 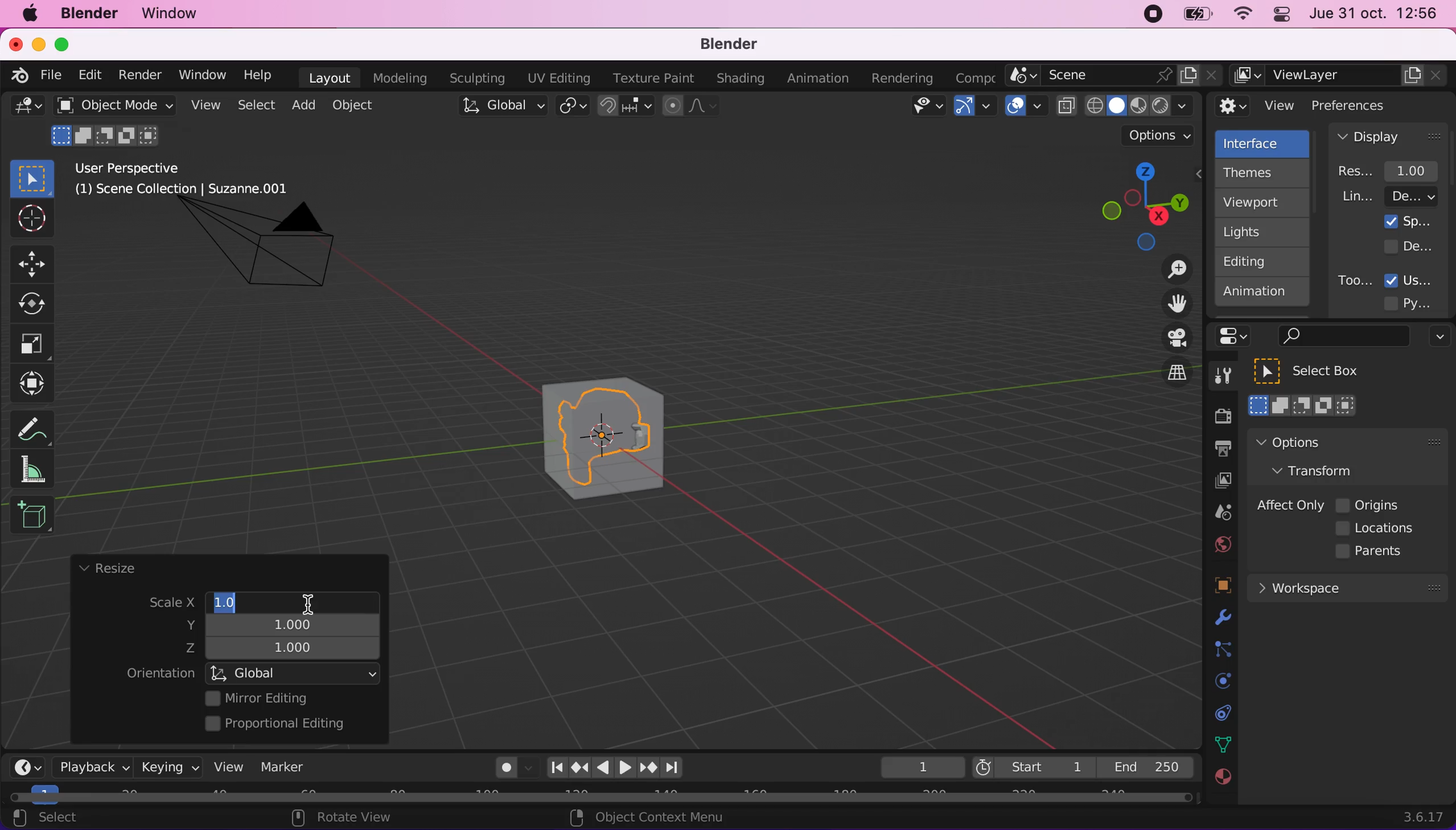 I want to click on select, so click(x=58, y=819).